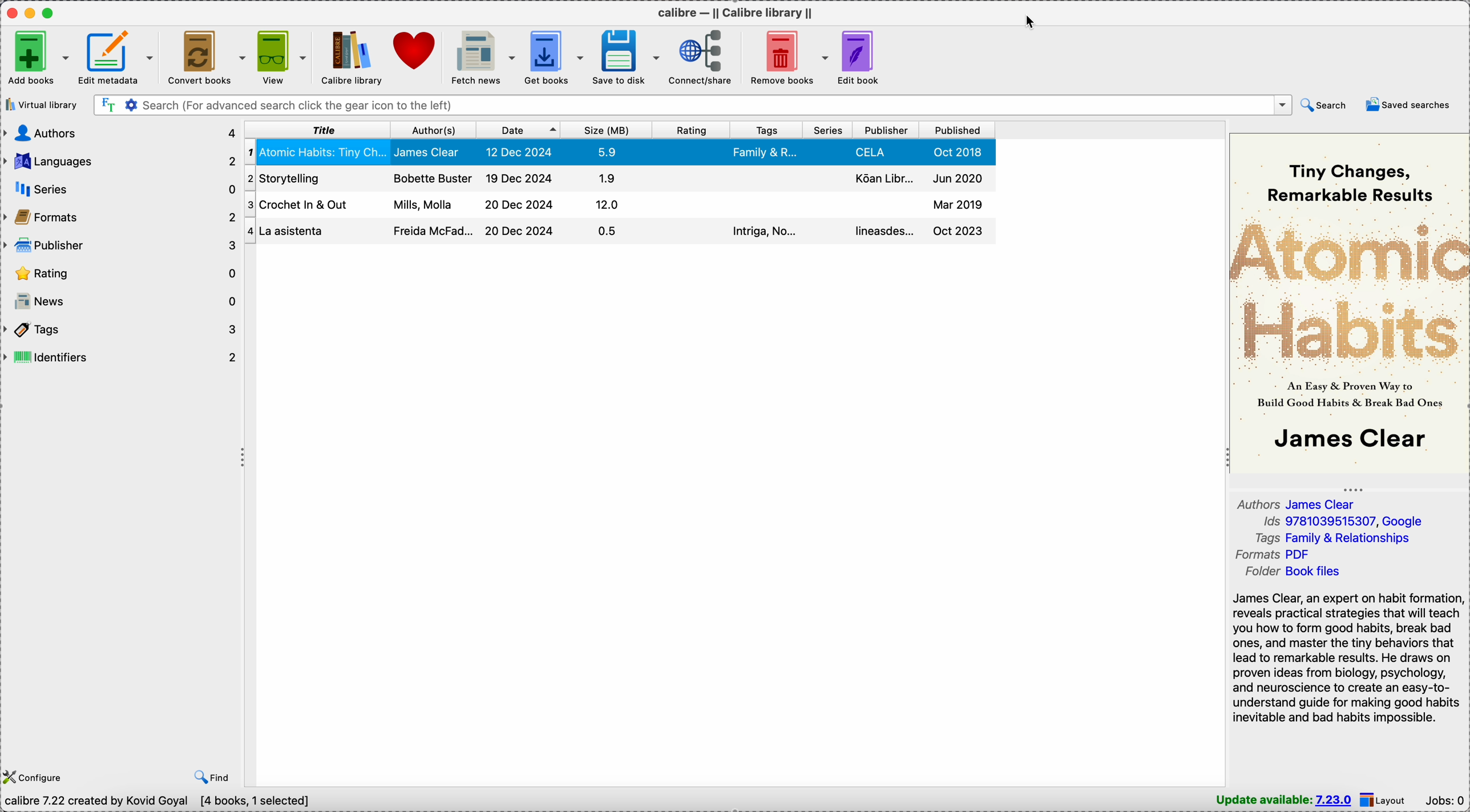  I want to click on minimize program, so click(32, 12).